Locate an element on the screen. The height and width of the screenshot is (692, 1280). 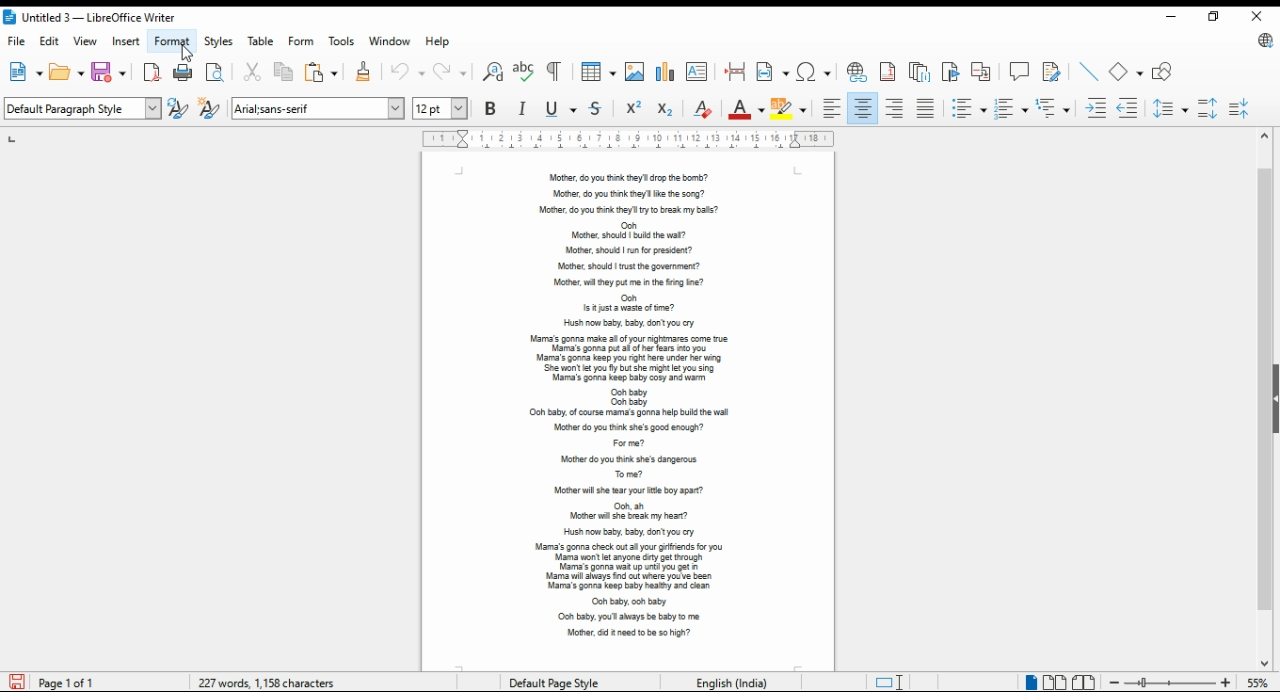
insert hyperlink is located at coordinates (854, 72).